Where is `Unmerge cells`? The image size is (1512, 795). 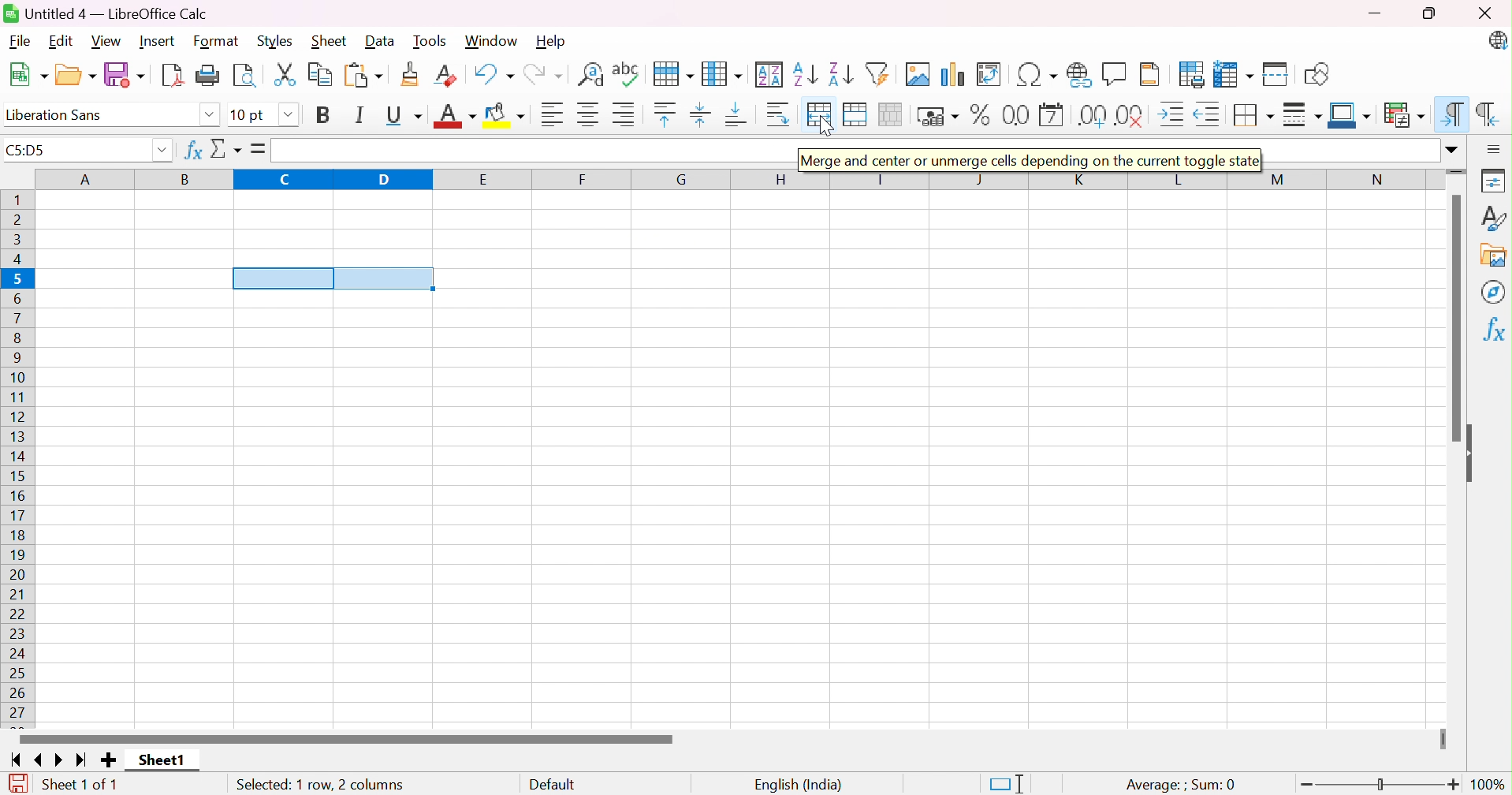 Unmerge cells is located at coordinates (895, 114).